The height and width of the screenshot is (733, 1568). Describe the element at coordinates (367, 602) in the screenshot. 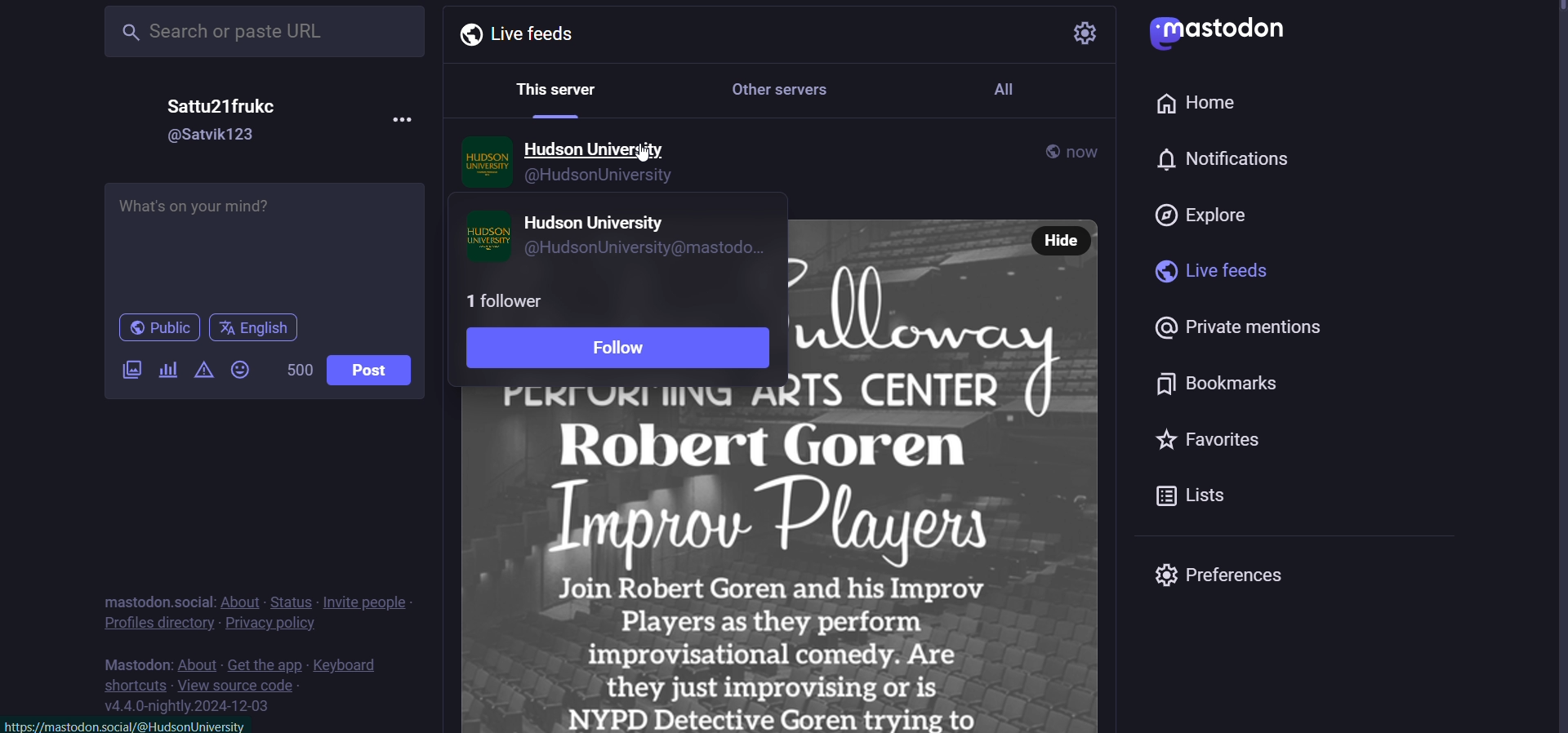

I see `invite people` at that location.